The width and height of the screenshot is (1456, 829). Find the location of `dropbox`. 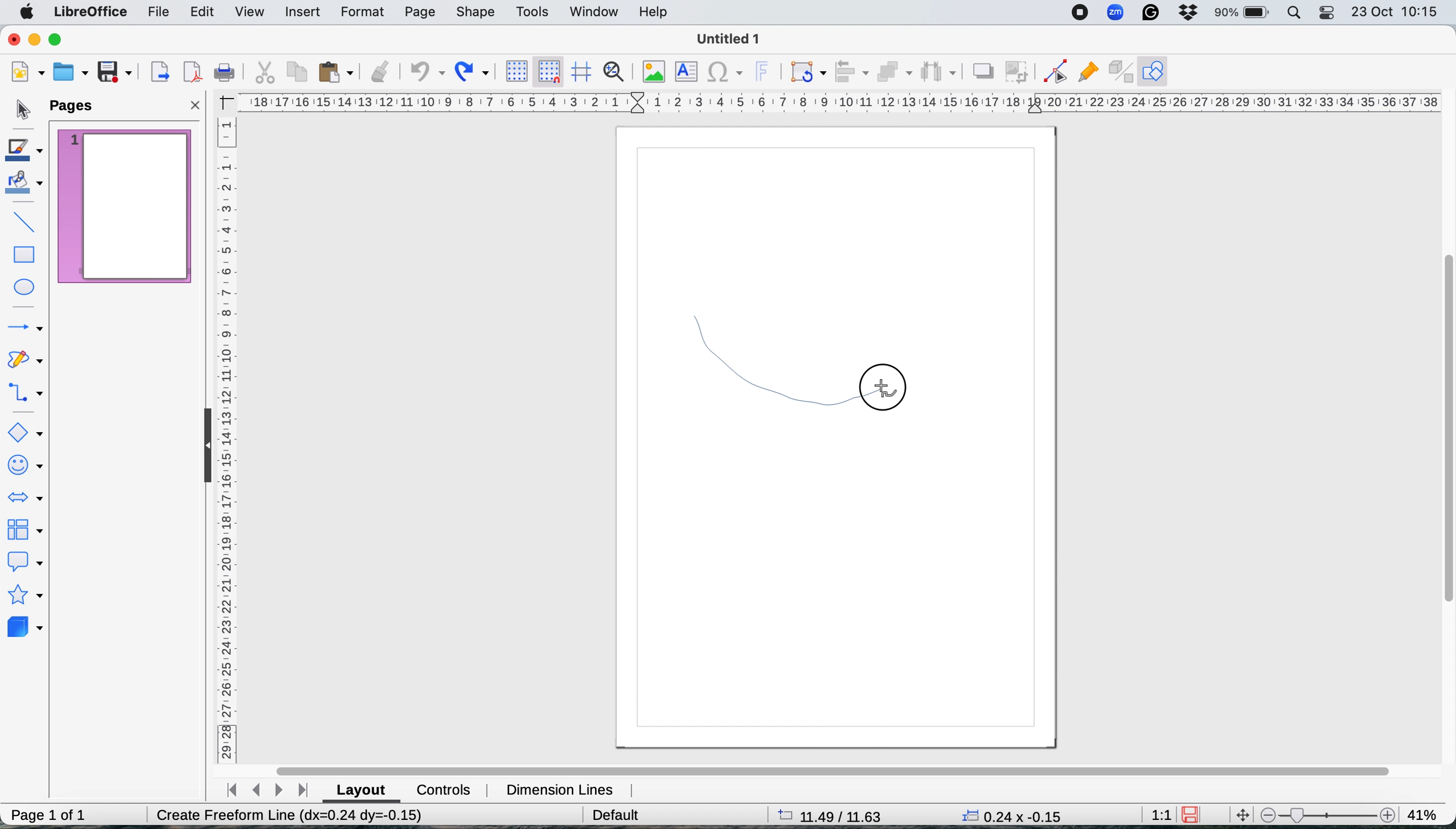

dropbox is located at coordinates (1191, 13).